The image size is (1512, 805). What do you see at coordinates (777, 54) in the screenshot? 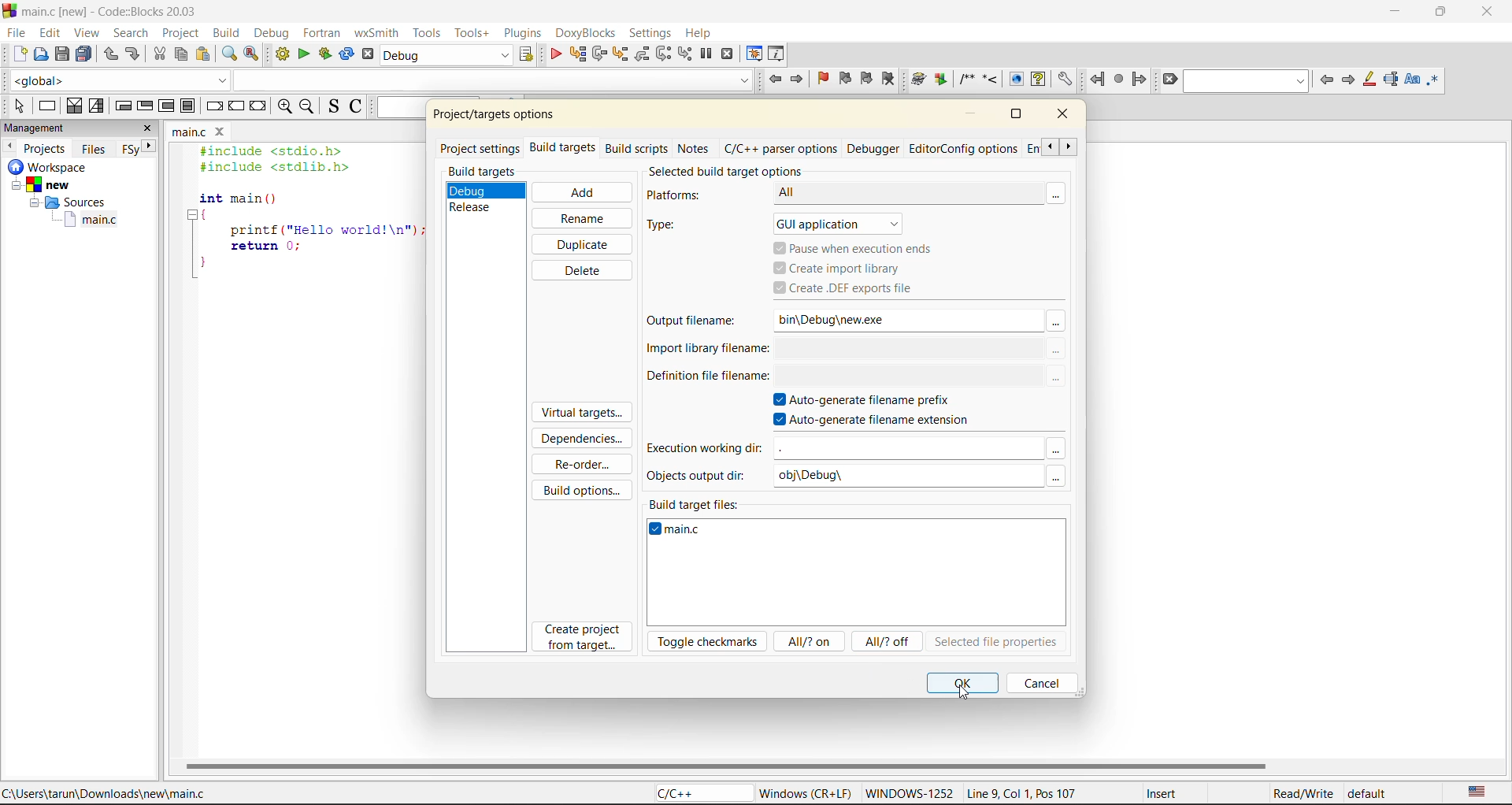
I see `various info` at bounding box center [777, 54].